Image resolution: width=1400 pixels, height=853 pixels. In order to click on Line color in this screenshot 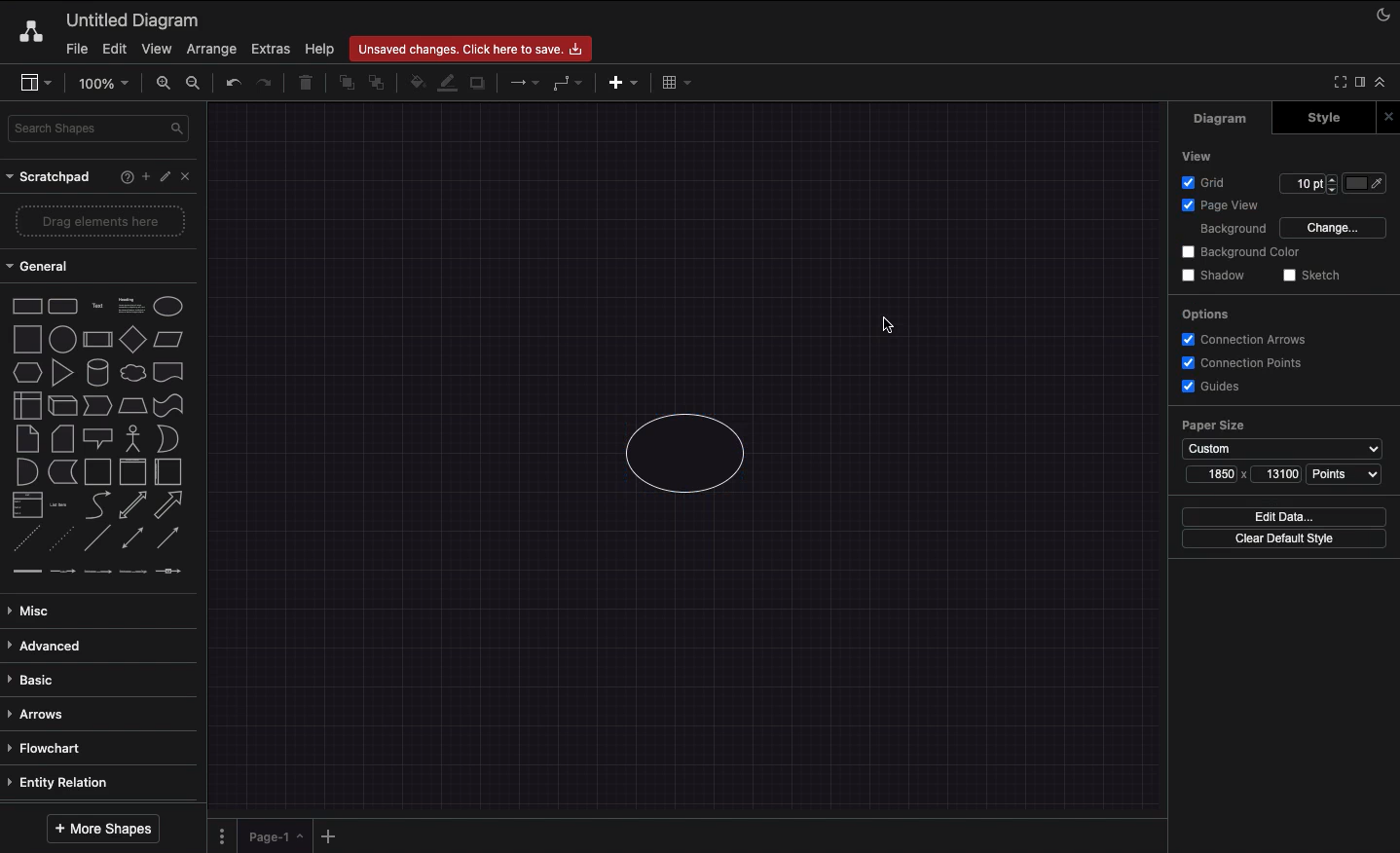, I will do `click(447, 81)`.